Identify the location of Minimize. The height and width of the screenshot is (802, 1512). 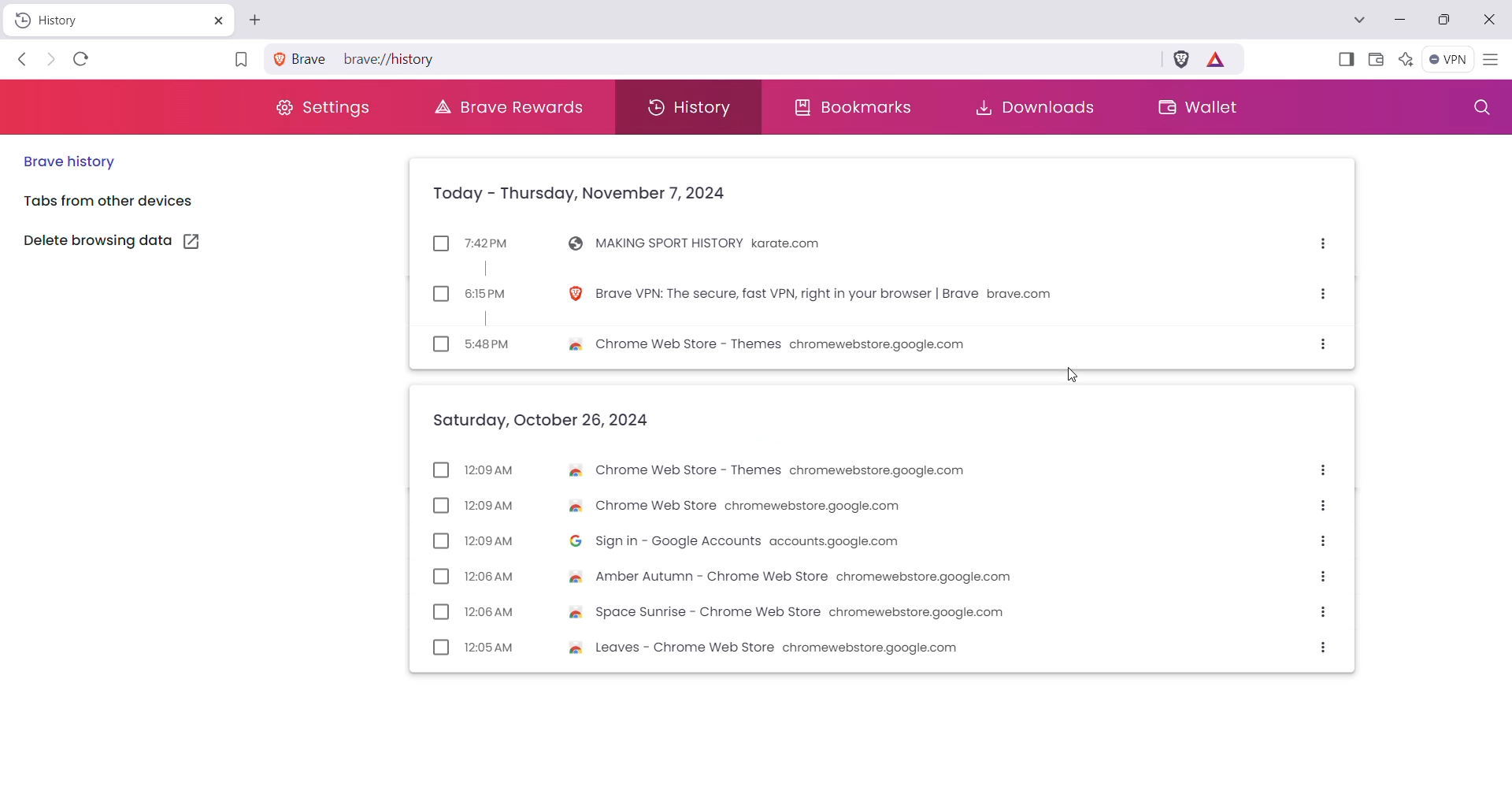
(1399, 19).